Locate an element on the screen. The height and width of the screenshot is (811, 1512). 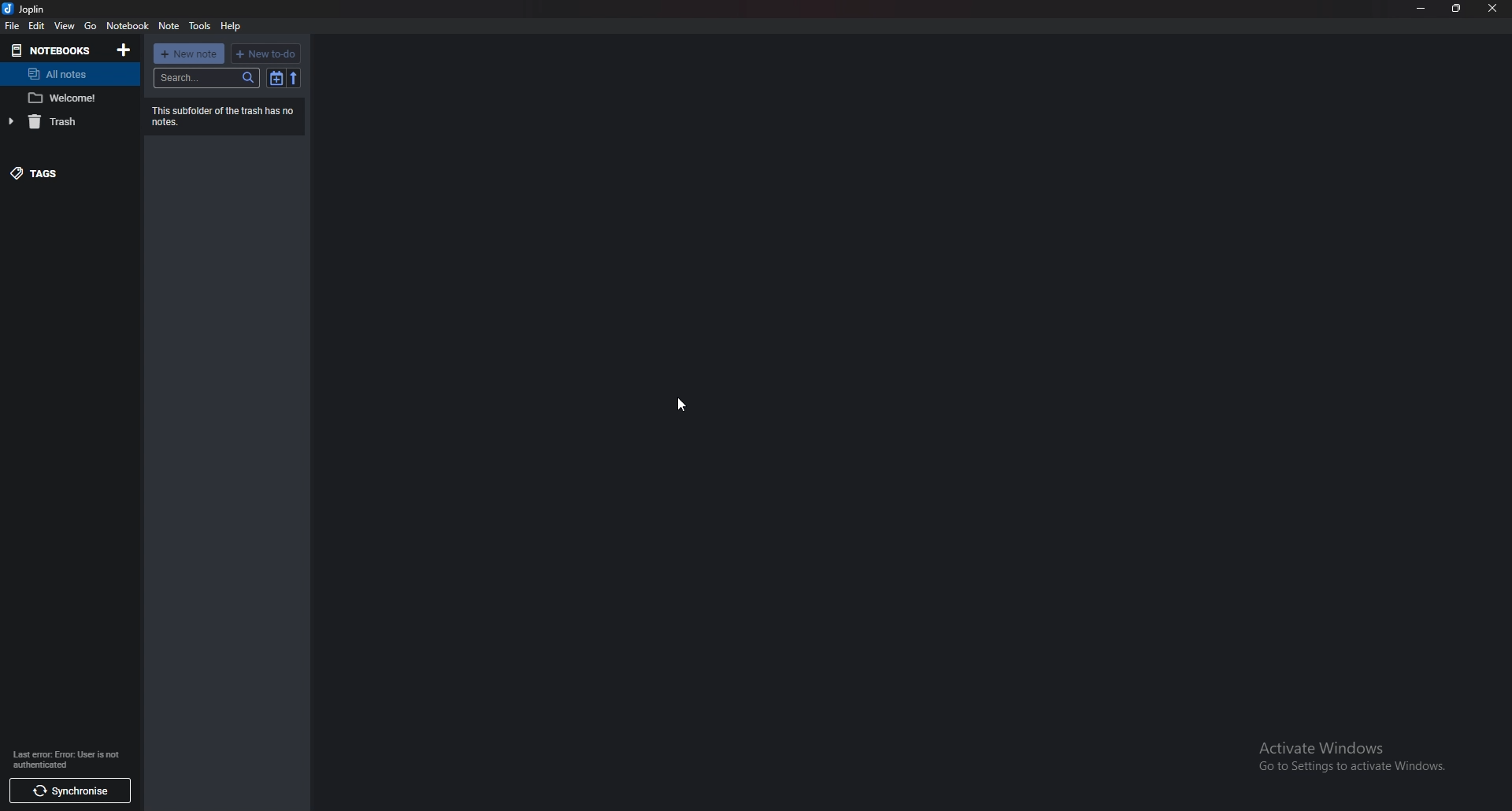
Tags is located at coordinates (69, 172).